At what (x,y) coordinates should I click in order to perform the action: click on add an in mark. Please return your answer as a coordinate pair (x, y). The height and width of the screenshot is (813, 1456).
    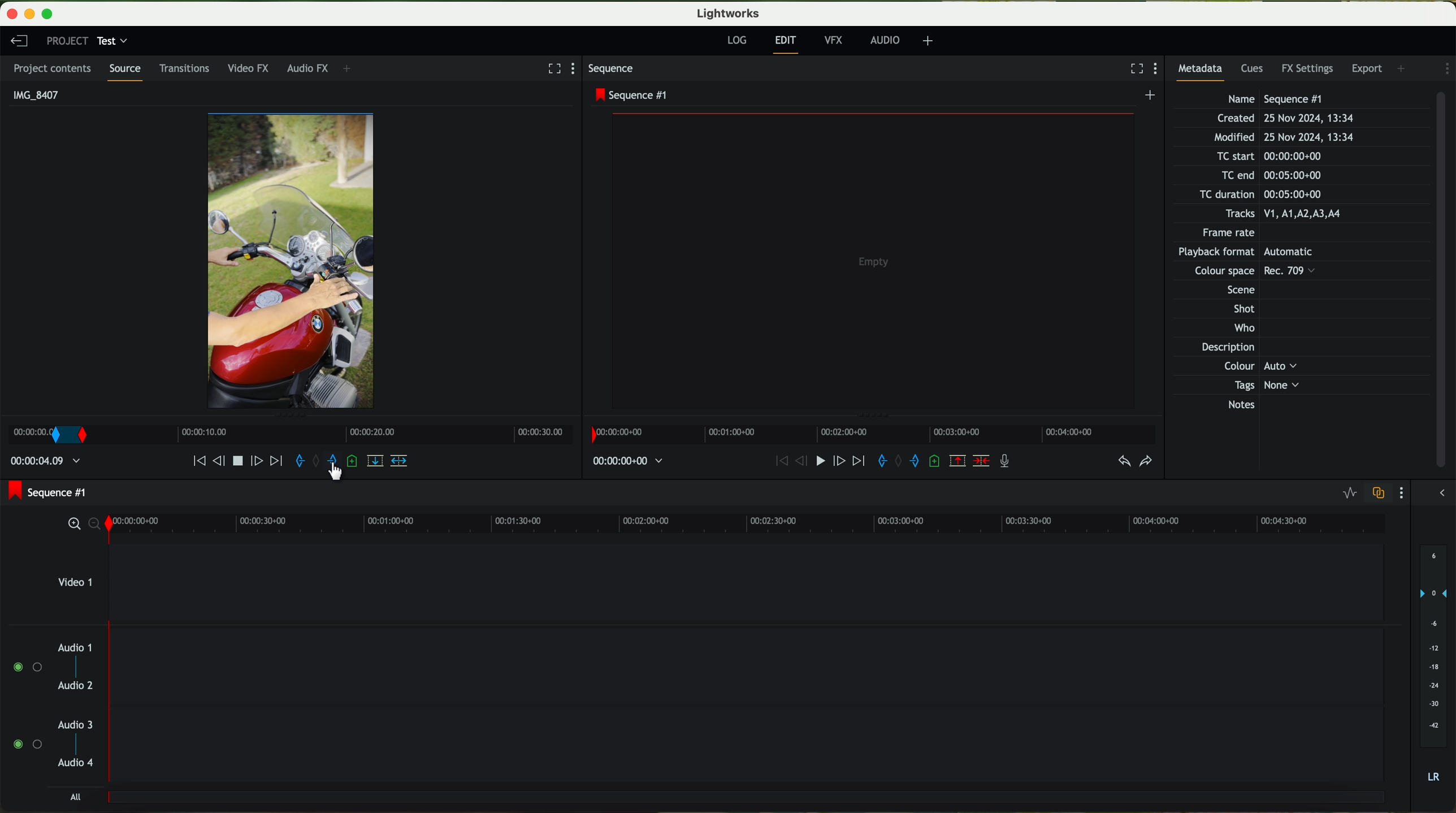
    Looking at the image, I should click on (301, 462).